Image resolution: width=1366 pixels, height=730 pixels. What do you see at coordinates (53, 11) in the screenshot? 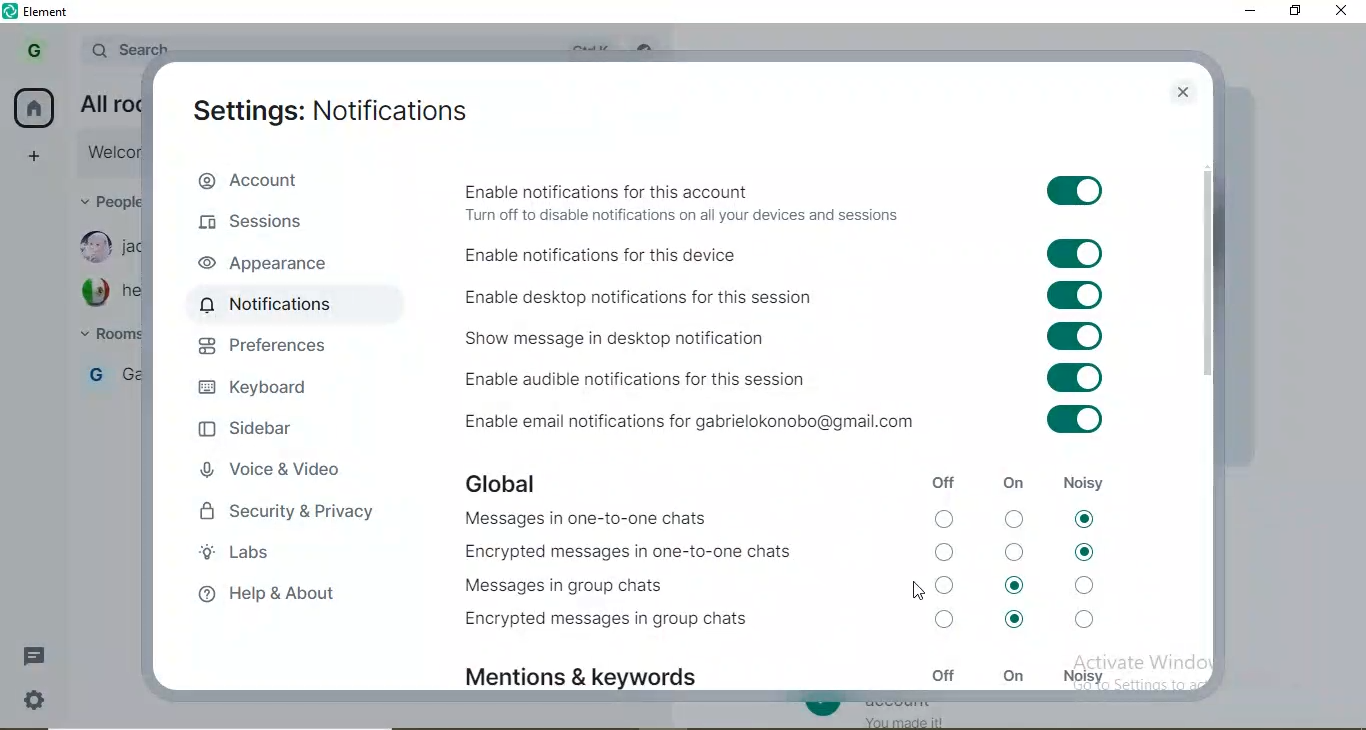
I see `element` at bounding box center [53, 11].